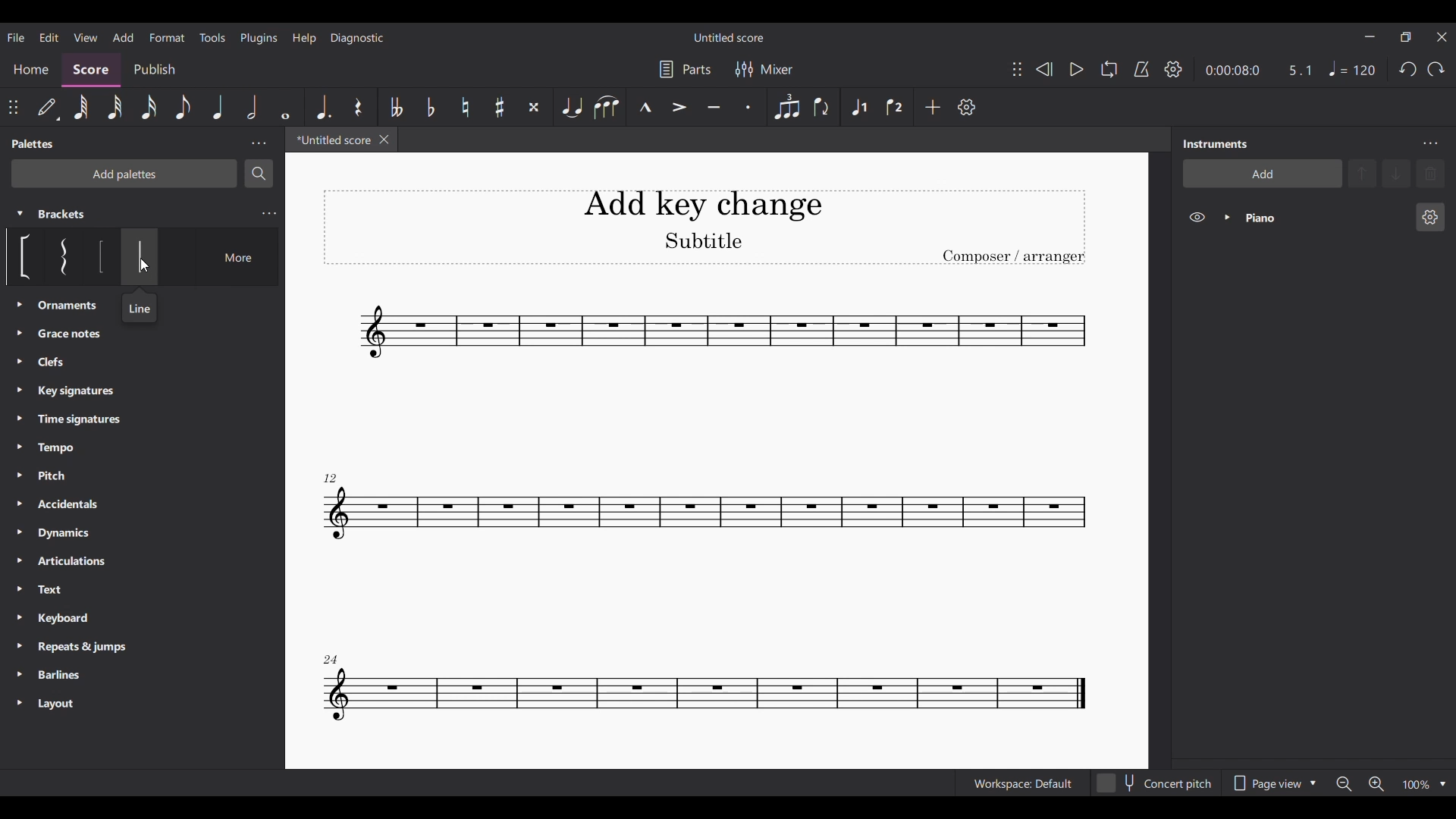 The width and height of the screenshot is (1456, 819). Describe the element at coordinates (764, 70) in the screenshot. I see `Mixer` at that location.